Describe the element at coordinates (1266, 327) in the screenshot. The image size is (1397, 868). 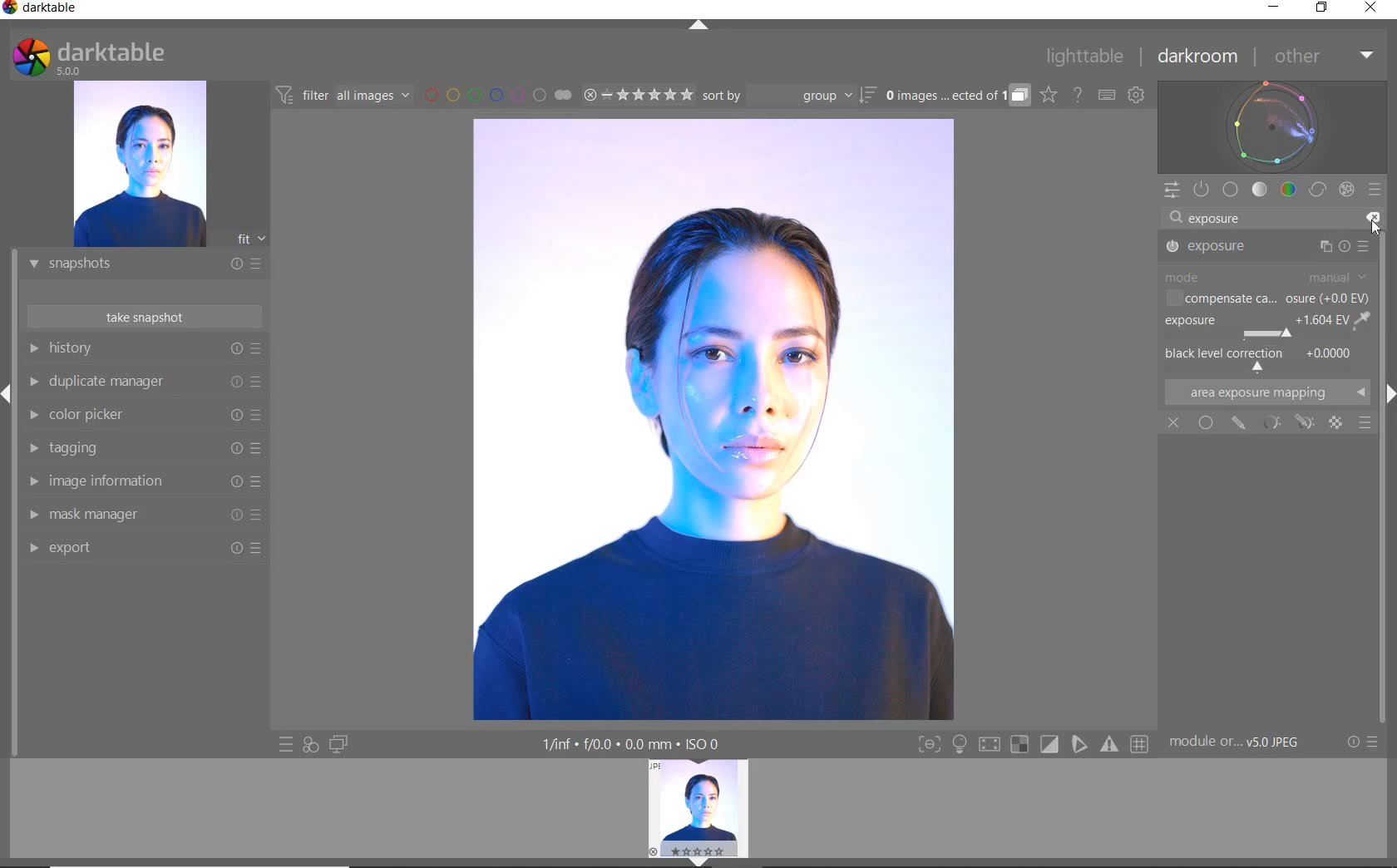
I see `EXPOSURE` at that location.